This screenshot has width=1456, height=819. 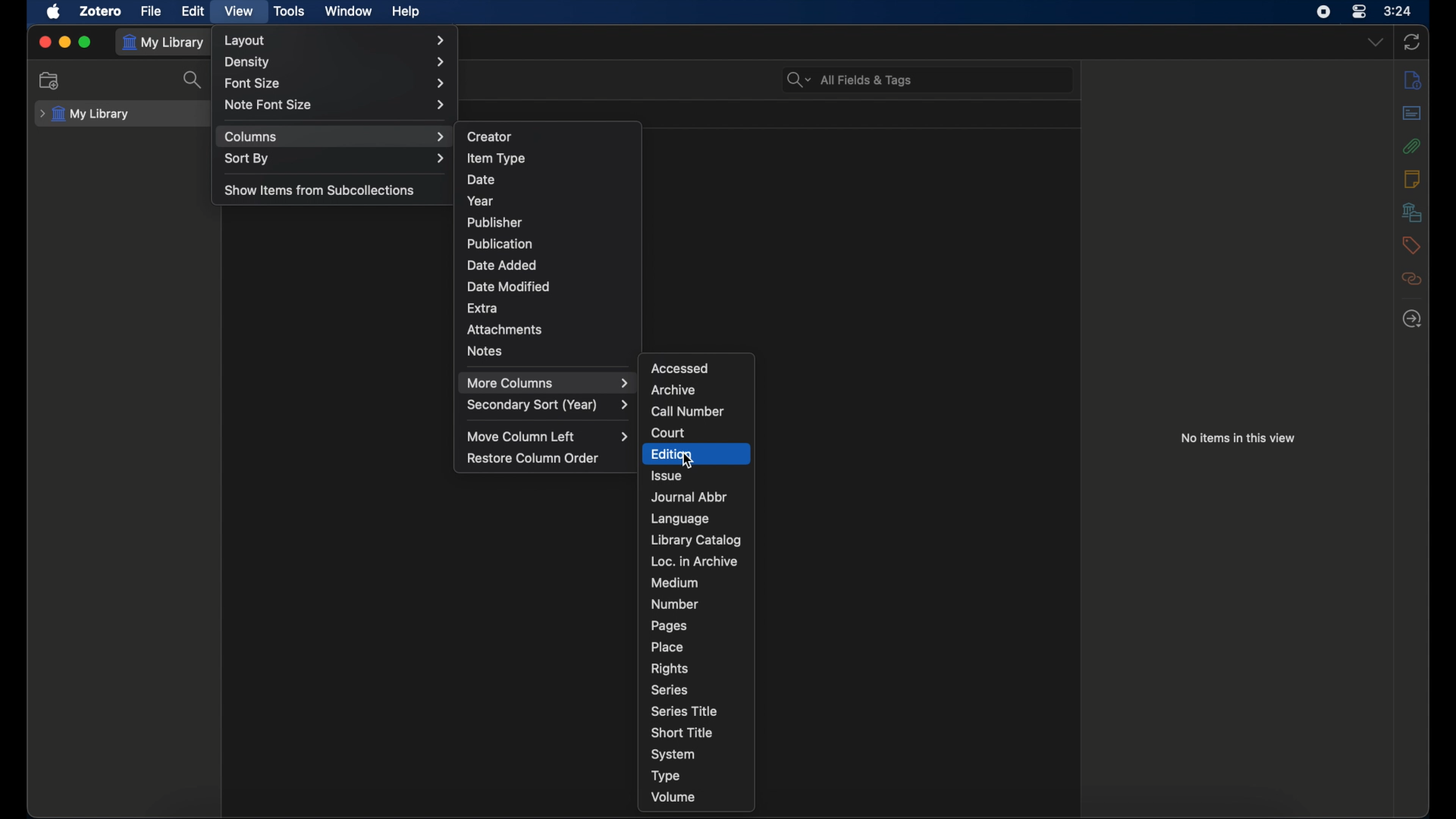 What do you see at coordinates (290, 11) in the screenshot?
I see `tools` at bounding box center [290, 11].